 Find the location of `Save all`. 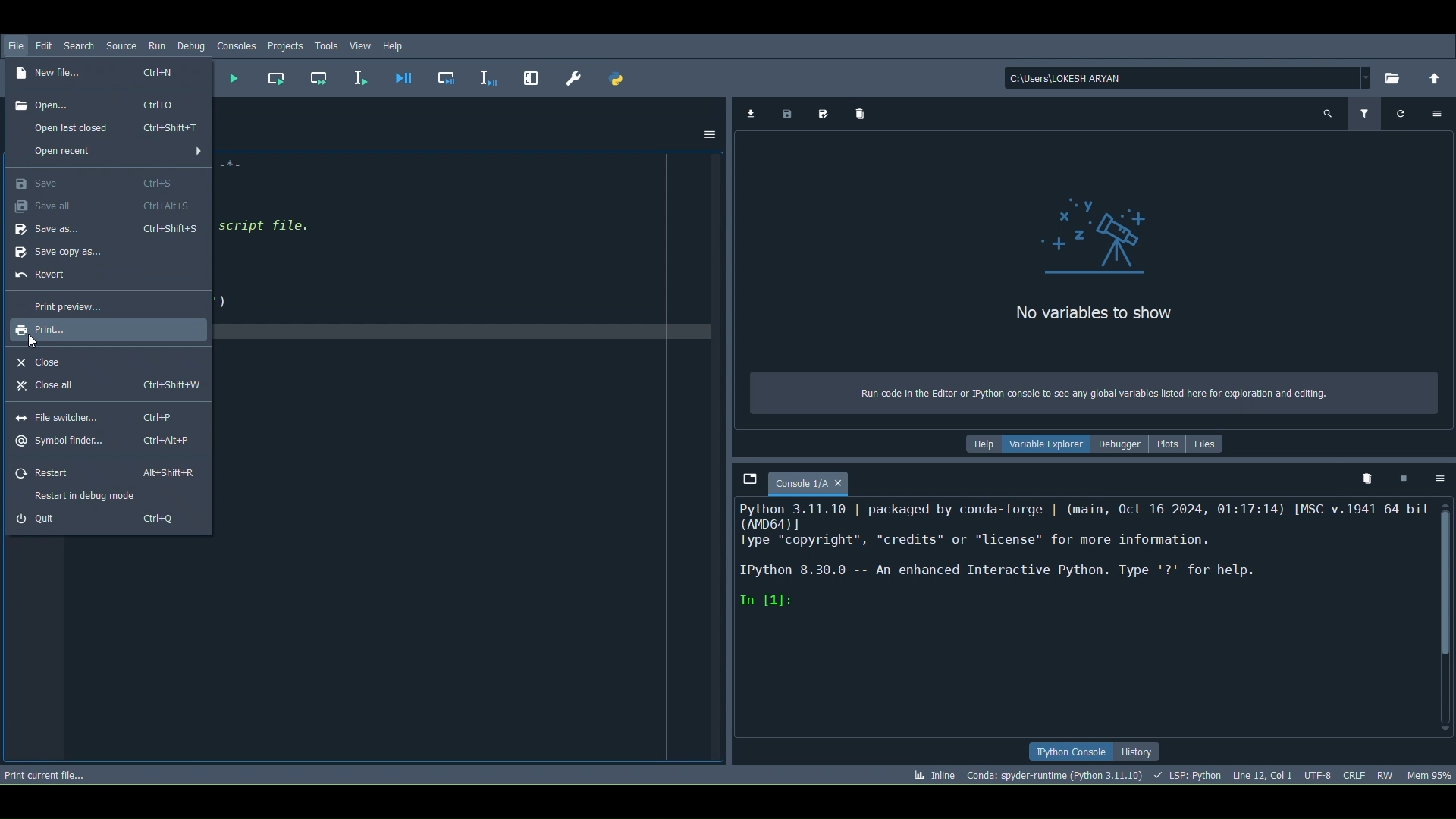

Save all is located at coordinates (102, 208).